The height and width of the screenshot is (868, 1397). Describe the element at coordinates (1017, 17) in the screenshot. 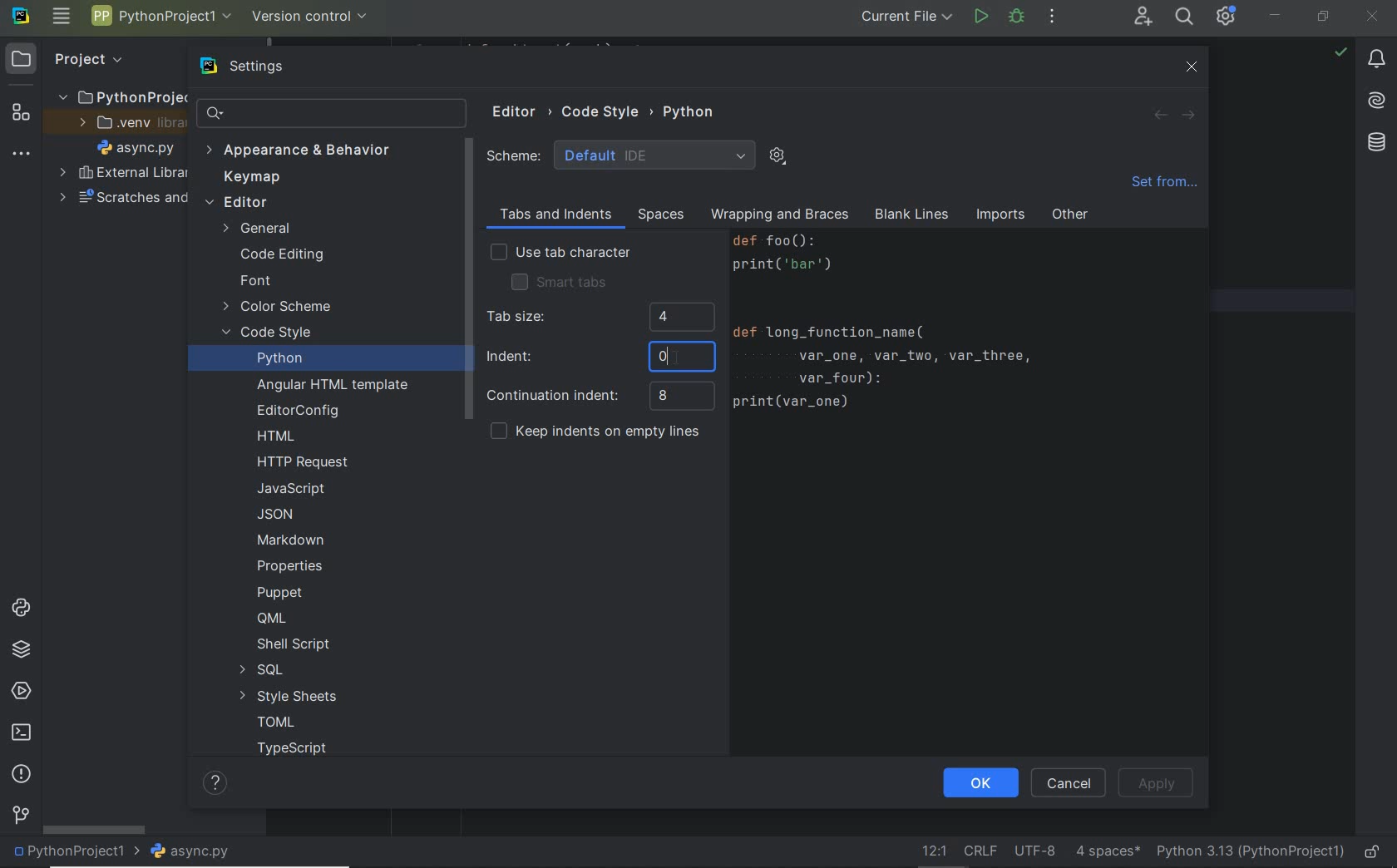

I see `debug` at that location.